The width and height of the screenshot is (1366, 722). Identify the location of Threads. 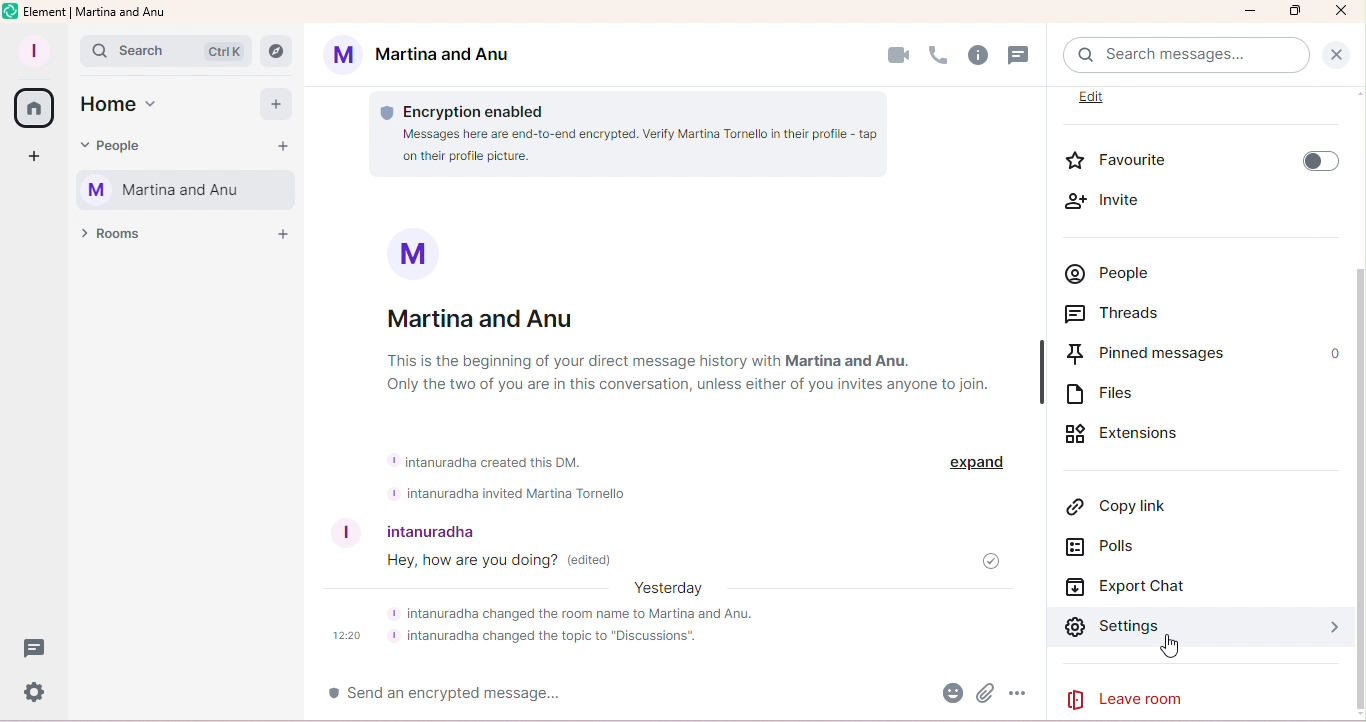
(1153, 316).